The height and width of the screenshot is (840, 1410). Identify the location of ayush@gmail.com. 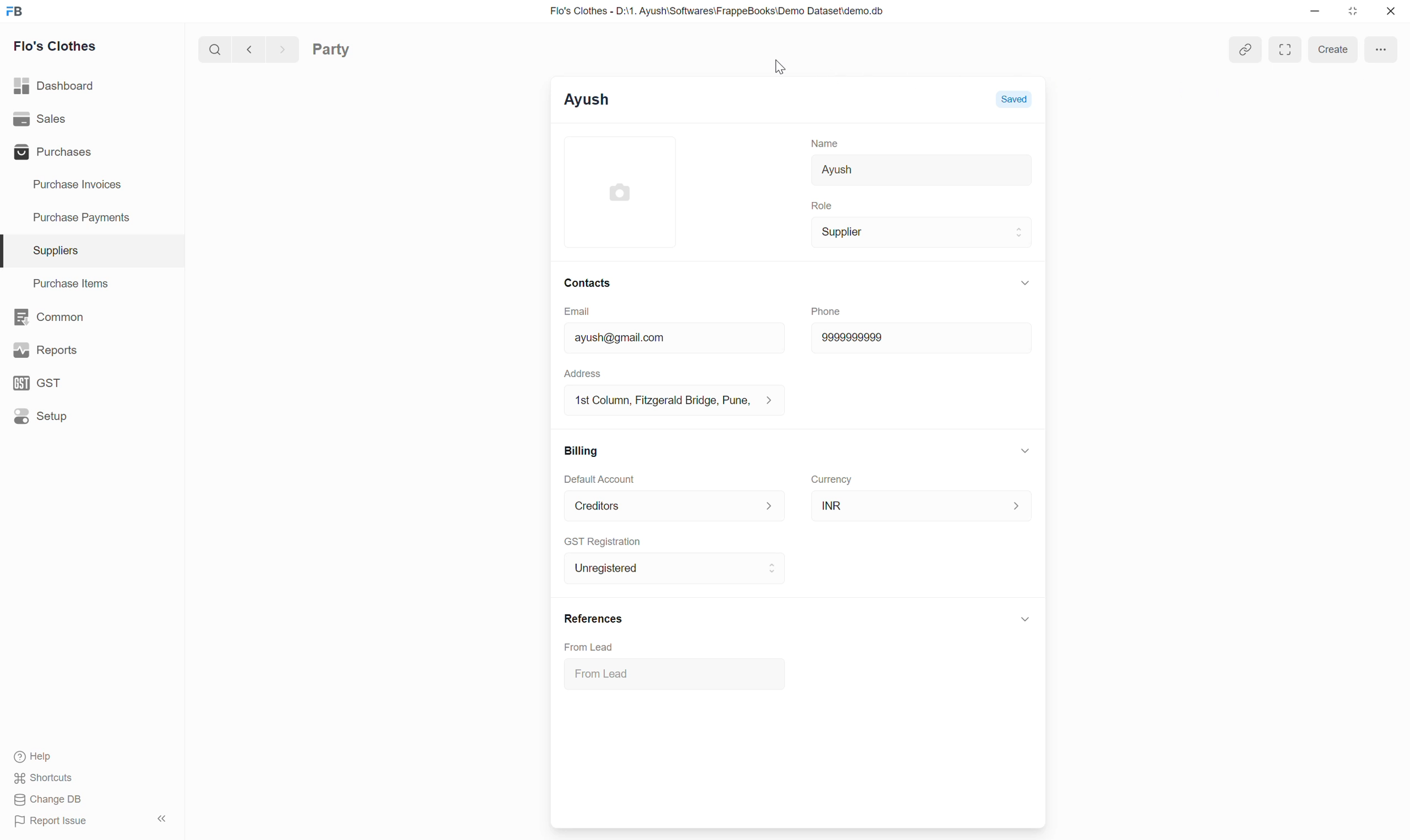
(674, 338).